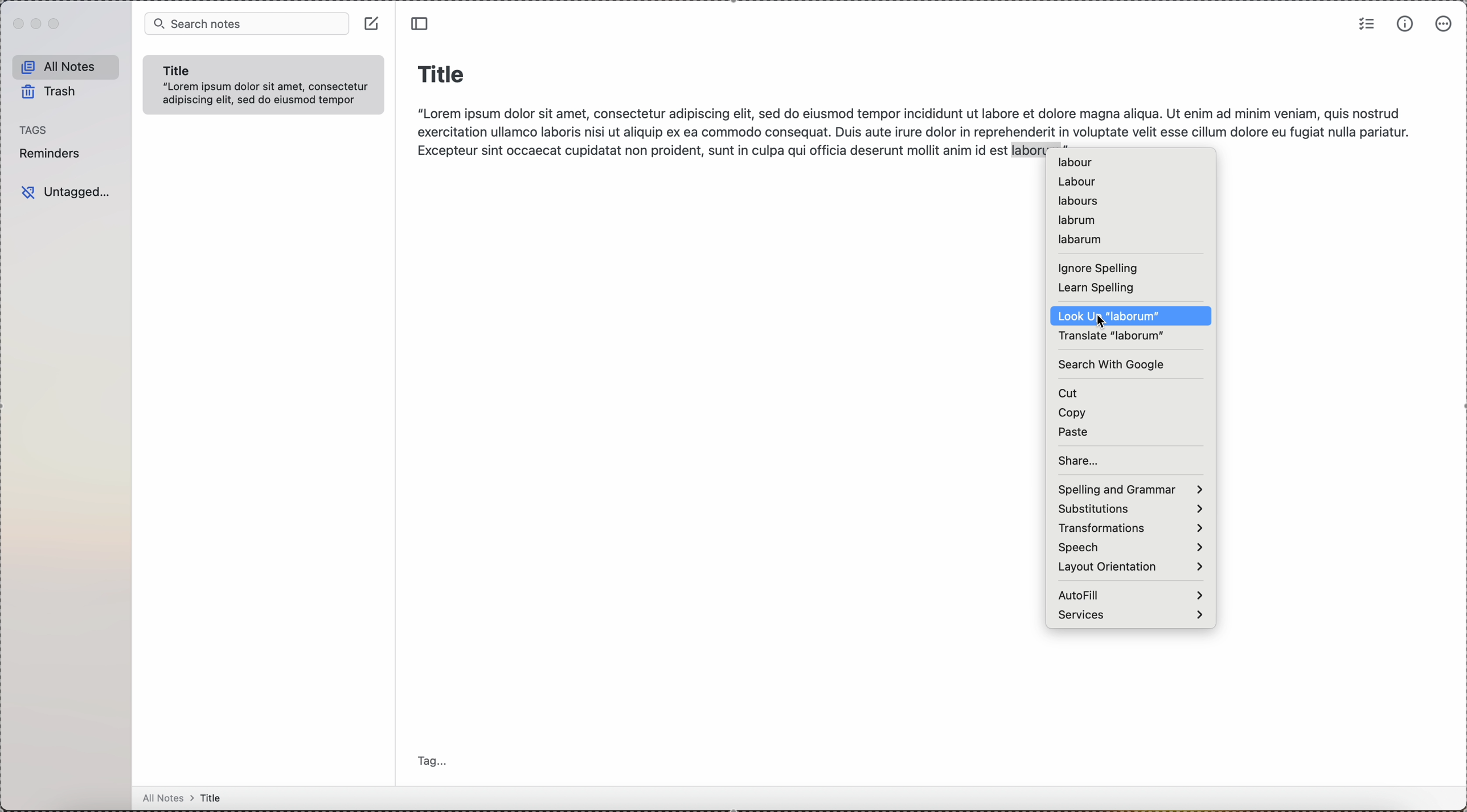 This screenshot has height=812, width=1467. Describe the element at coordinates (1132, 547) in the screenshot. I see `speech` at that location.